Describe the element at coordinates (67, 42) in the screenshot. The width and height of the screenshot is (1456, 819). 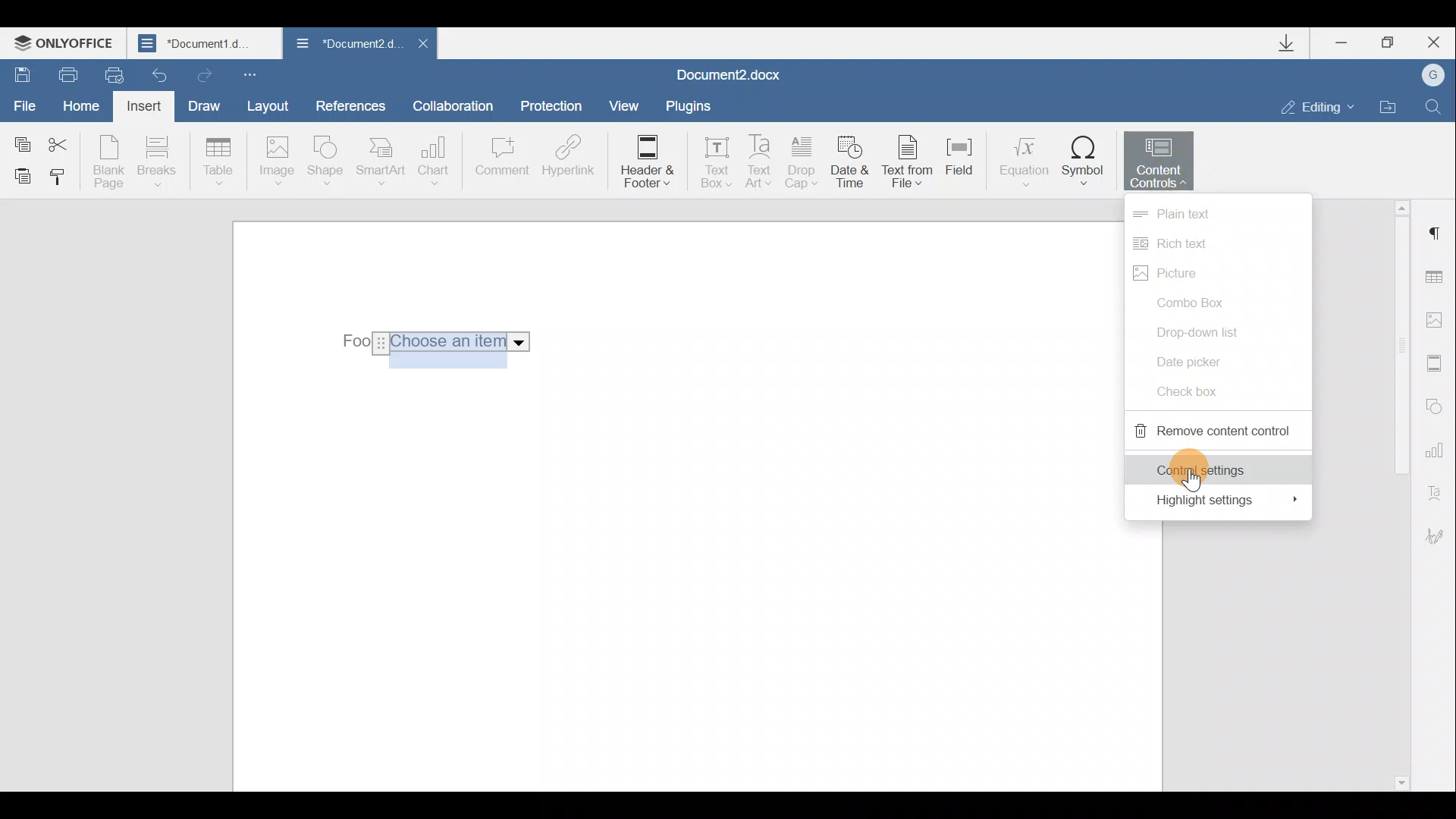
I see `ONLYOFFICE` at that location.